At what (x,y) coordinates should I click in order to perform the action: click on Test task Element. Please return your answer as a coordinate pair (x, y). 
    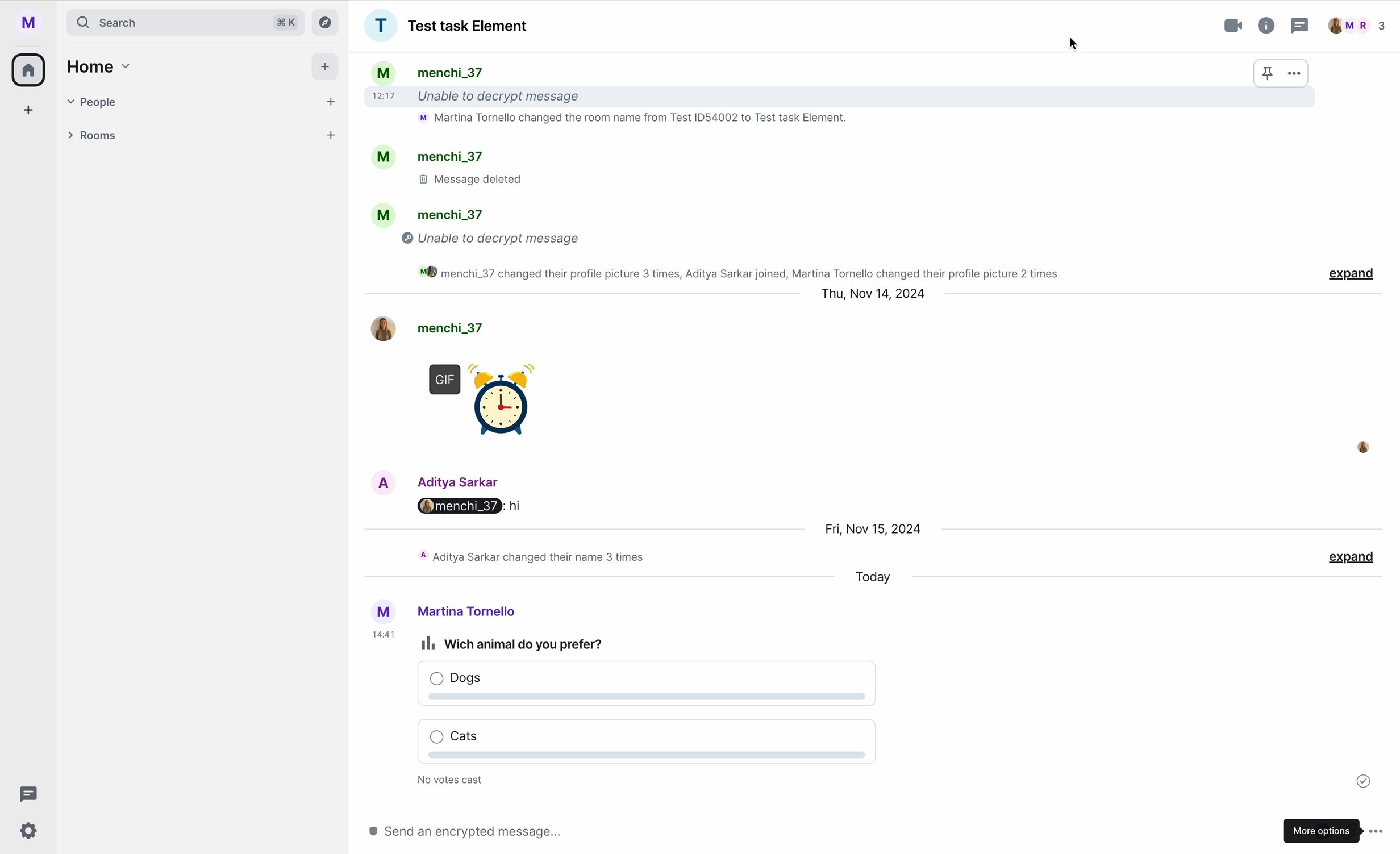
    Looking at the image, I should click on (446, 26).